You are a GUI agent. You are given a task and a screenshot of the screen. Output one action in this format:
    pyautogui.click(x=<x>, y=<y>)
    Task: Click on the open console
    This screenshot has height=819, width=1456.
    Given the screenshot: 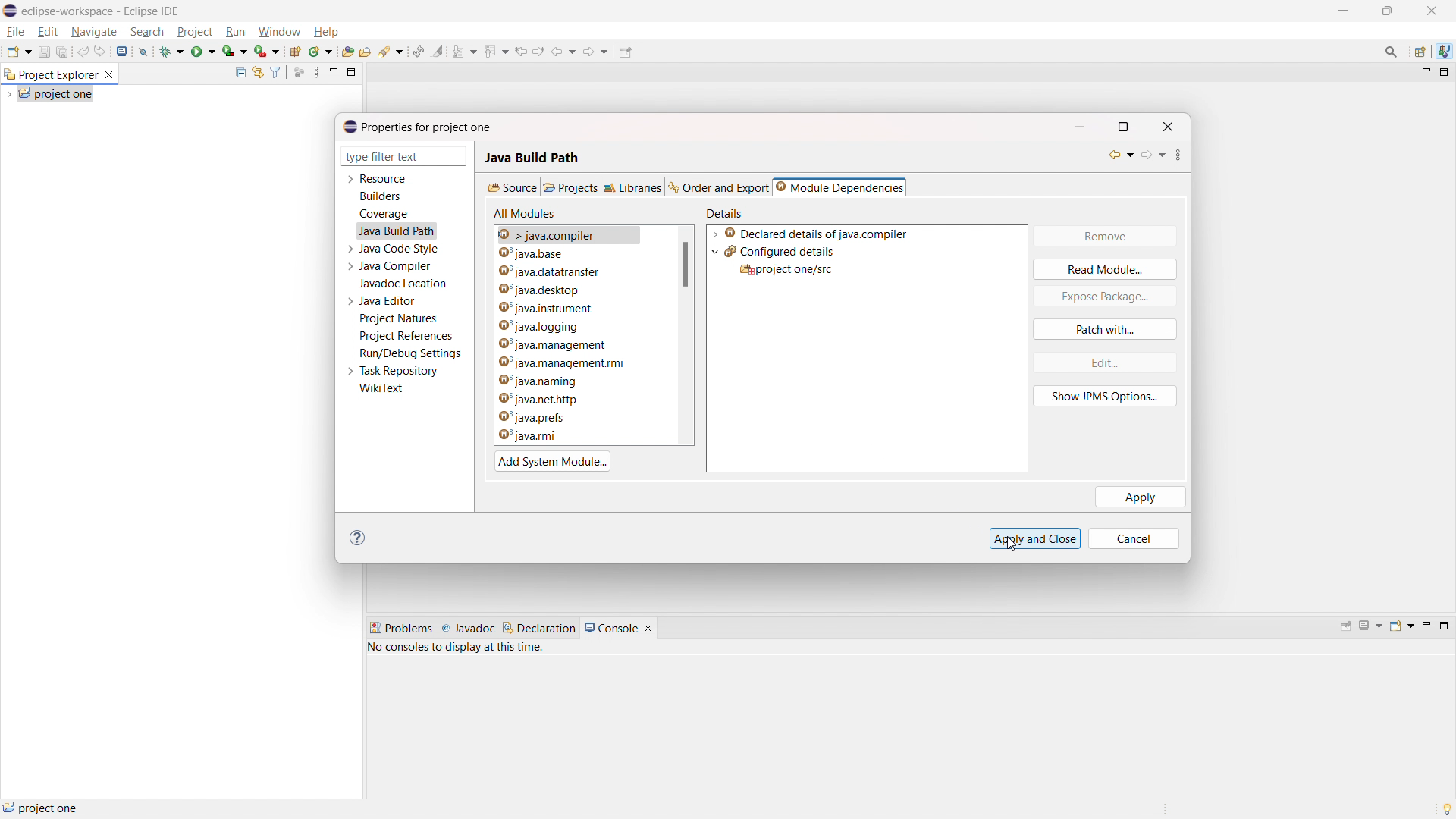 What is the action you would take?
    pyautogui.click(x=1401, y=626)
    